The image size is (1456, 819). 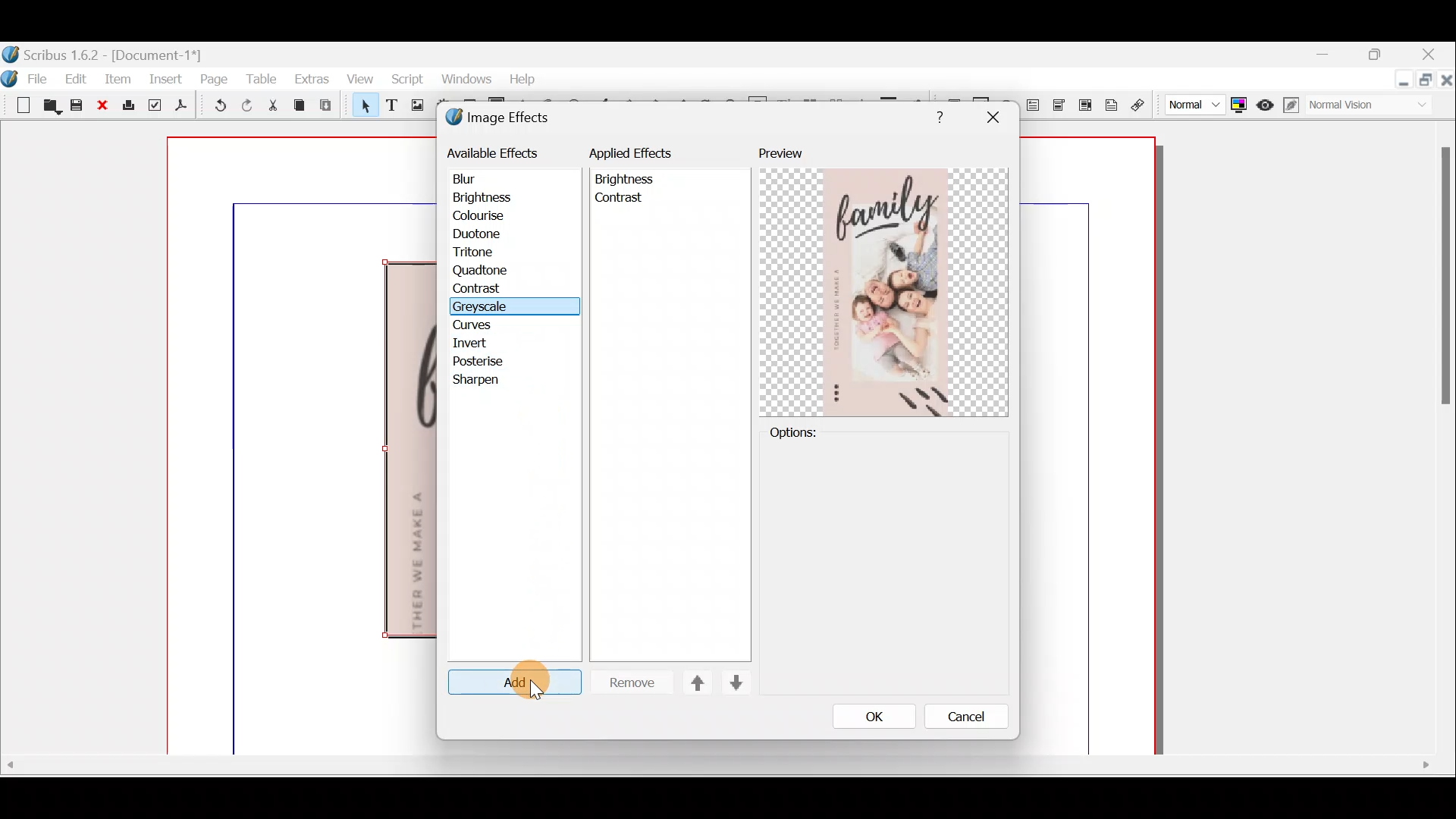 I want to click on Save, so click(x=75, y=105).